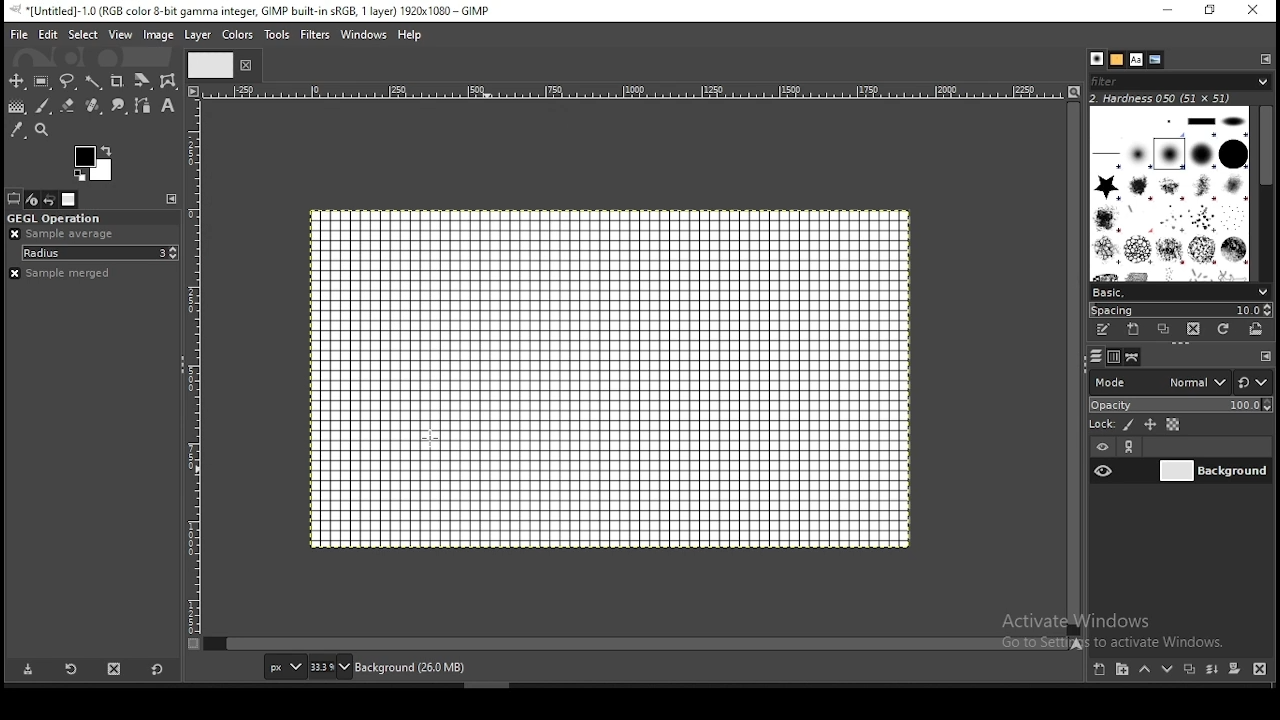 The height and width of the screenshot is (720, 1280). What do you see at coordinates (1155, 60) in the screenshot?
I see `document history` at bounding box center [1155, 60].